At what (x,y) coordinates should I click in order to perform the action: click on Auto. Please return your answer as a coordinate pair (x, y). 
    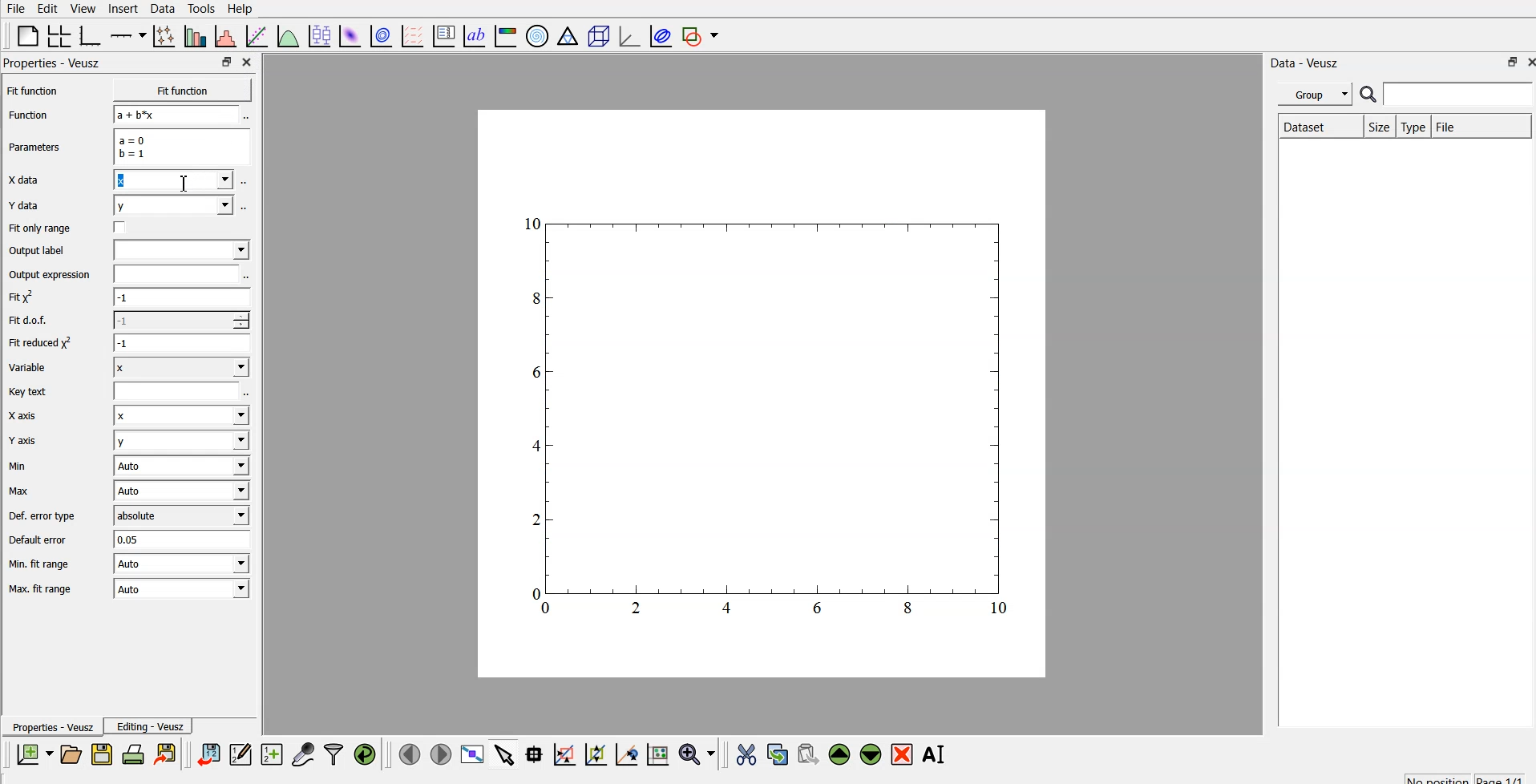
    Looking at the image, I should click on (182, 589).